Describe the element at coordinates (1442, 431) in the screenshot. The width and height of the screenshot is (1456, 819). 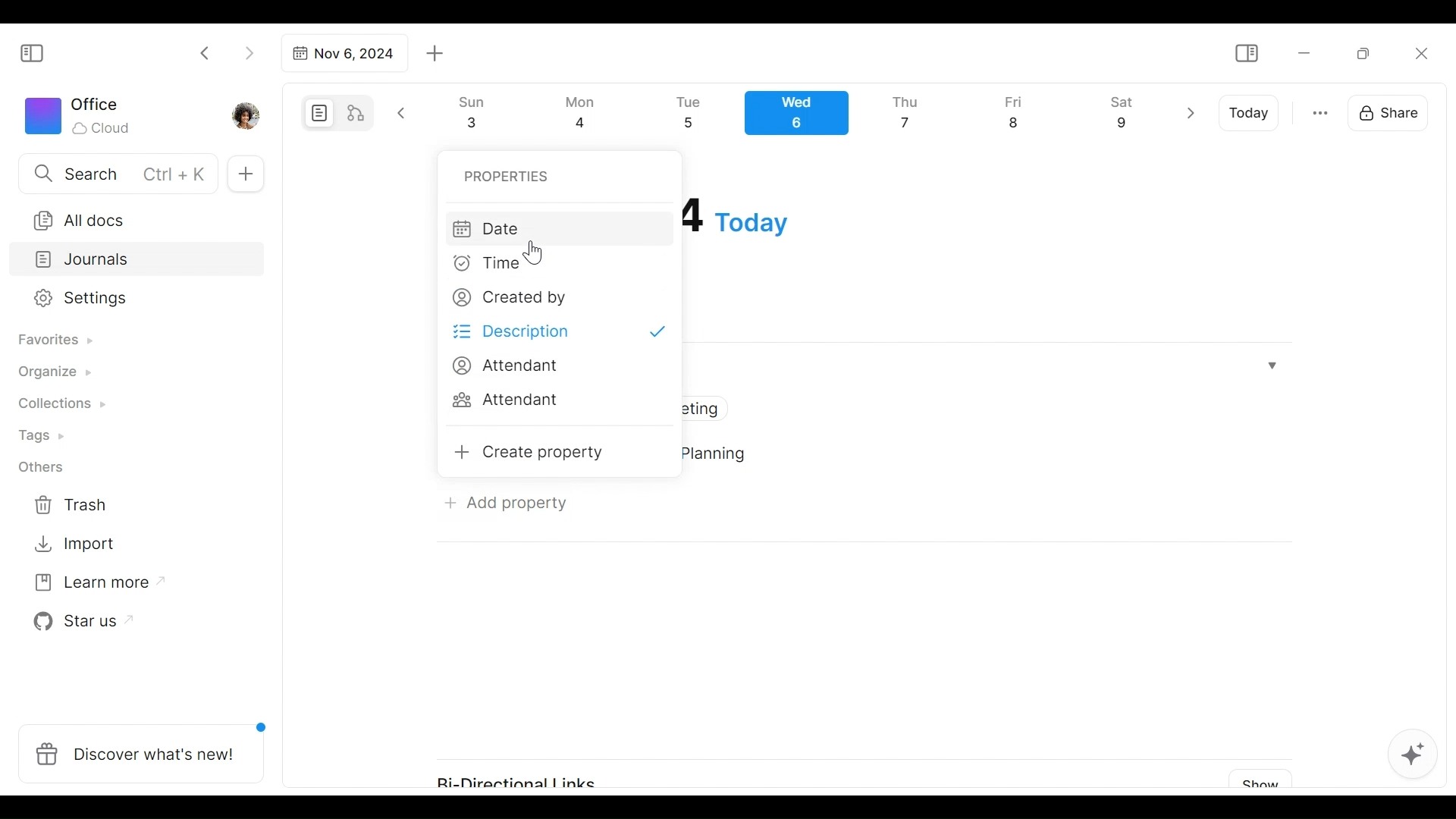
I see `vertical scrollbar` at that location.